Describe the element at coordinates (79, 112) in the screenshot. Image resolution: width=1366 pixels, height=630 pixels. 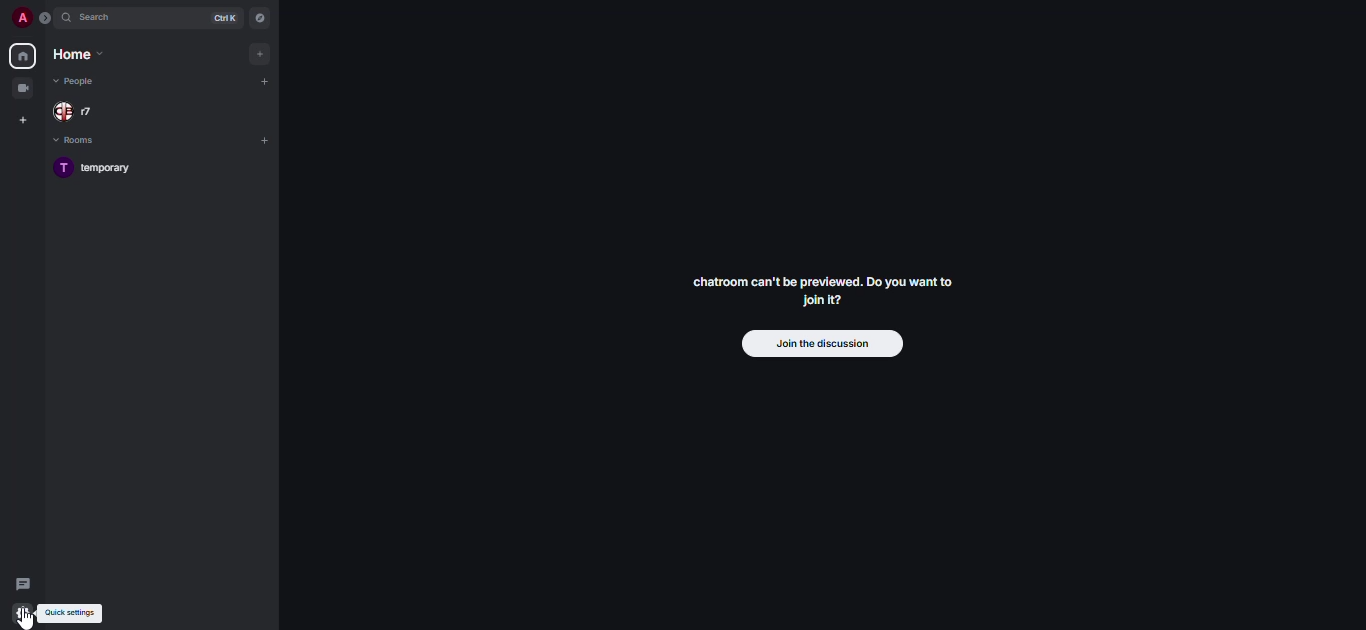
I see `people` at that location.